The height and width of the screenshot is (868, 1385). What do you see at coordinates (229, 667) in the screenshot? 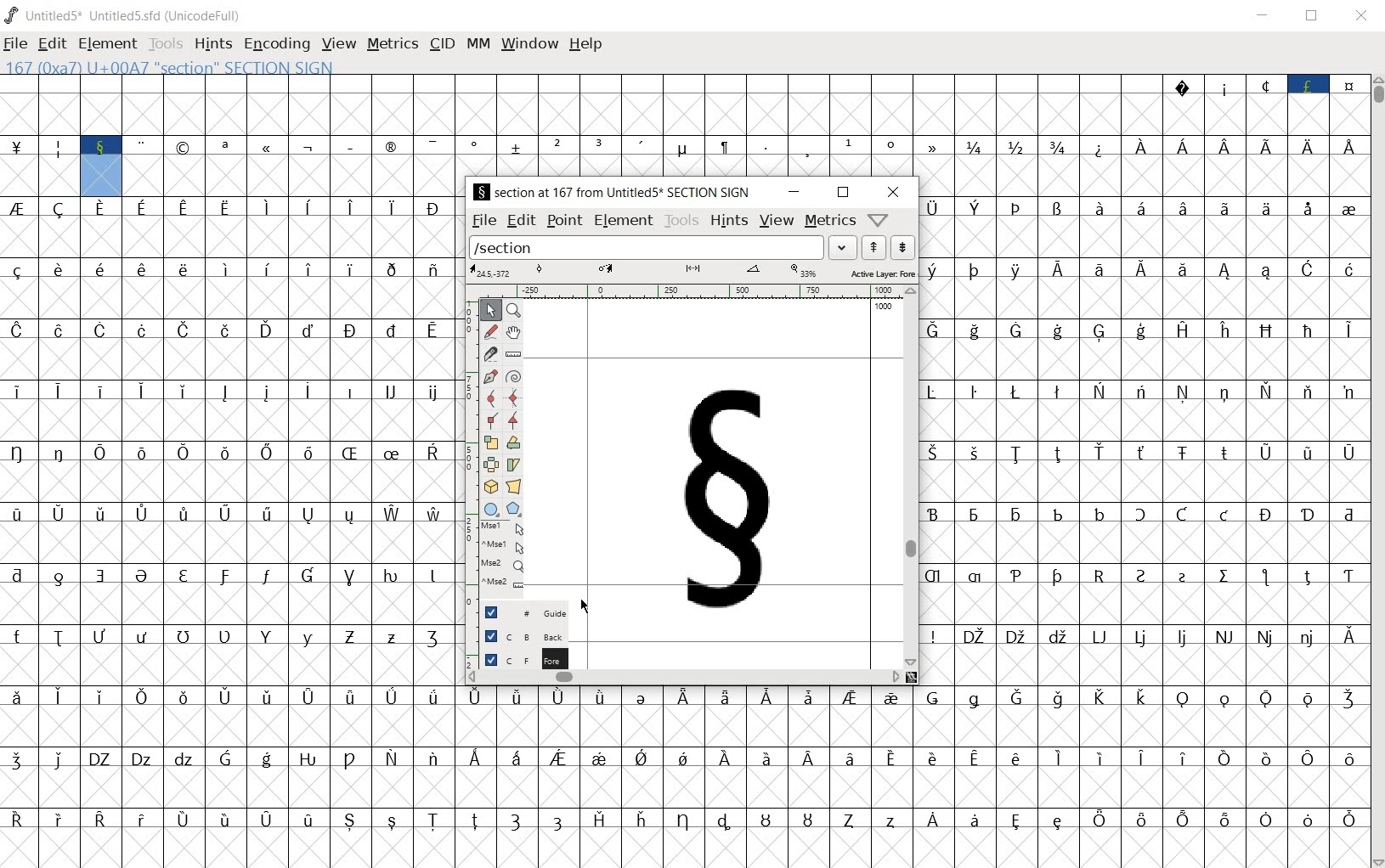
I see `empty cells` at bounding box center [229, 667].